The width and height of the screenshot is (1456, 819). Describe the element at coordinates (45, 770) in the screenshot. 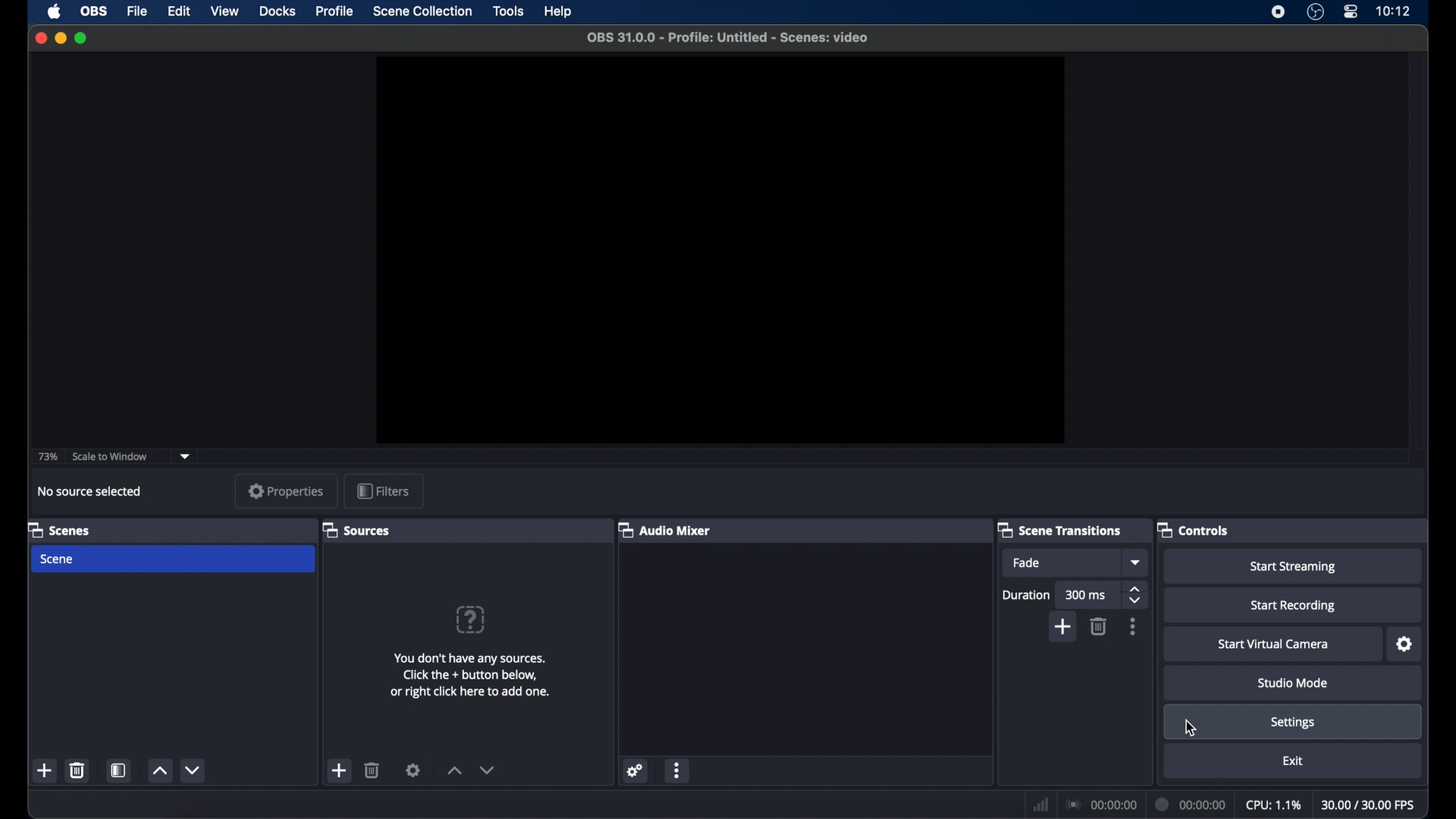

I see `add` at that location.